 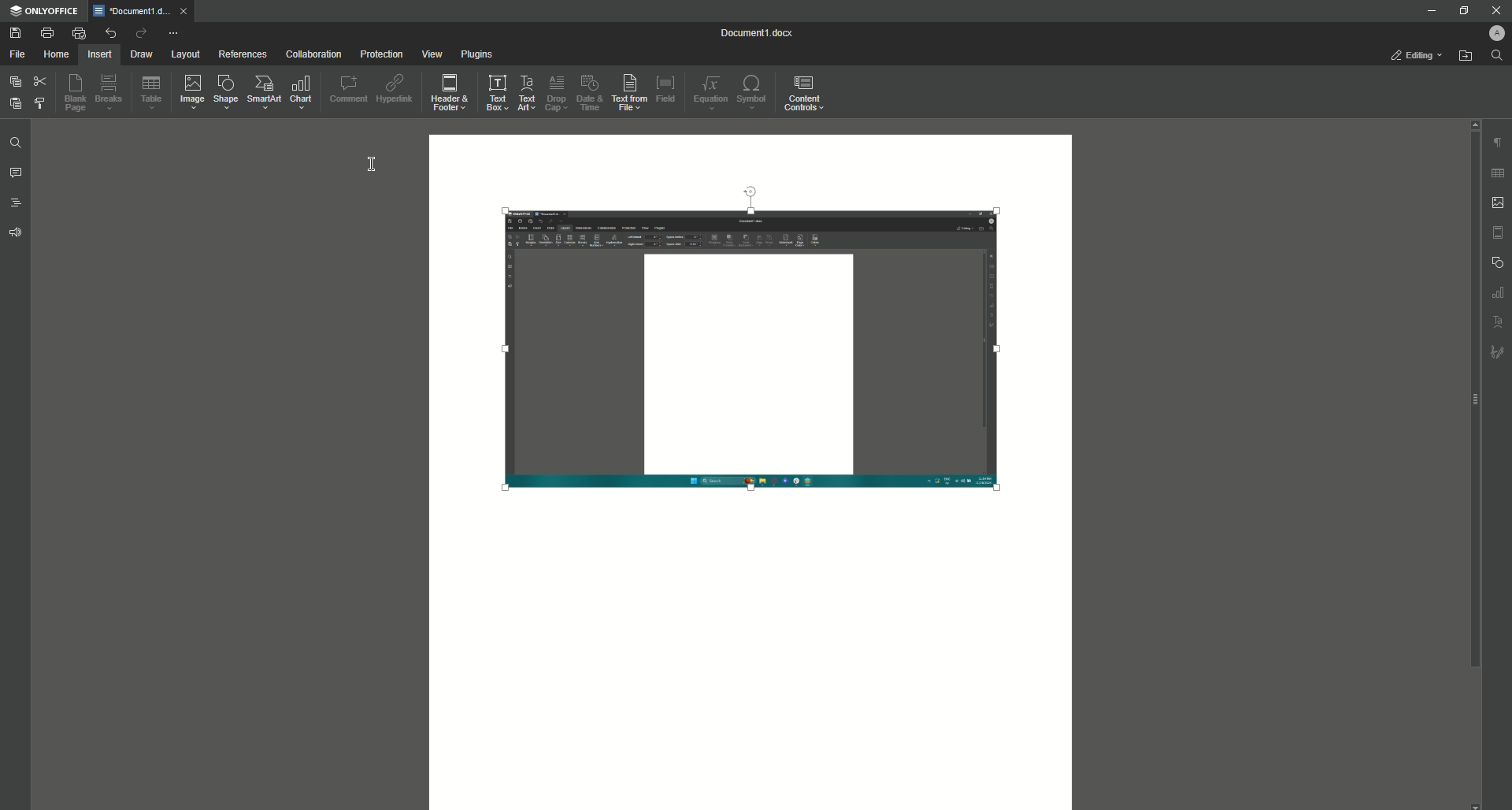 What do you see at coordinates (432, 55) in the screenshot?
I see `View` at bounding box center [432, 55].